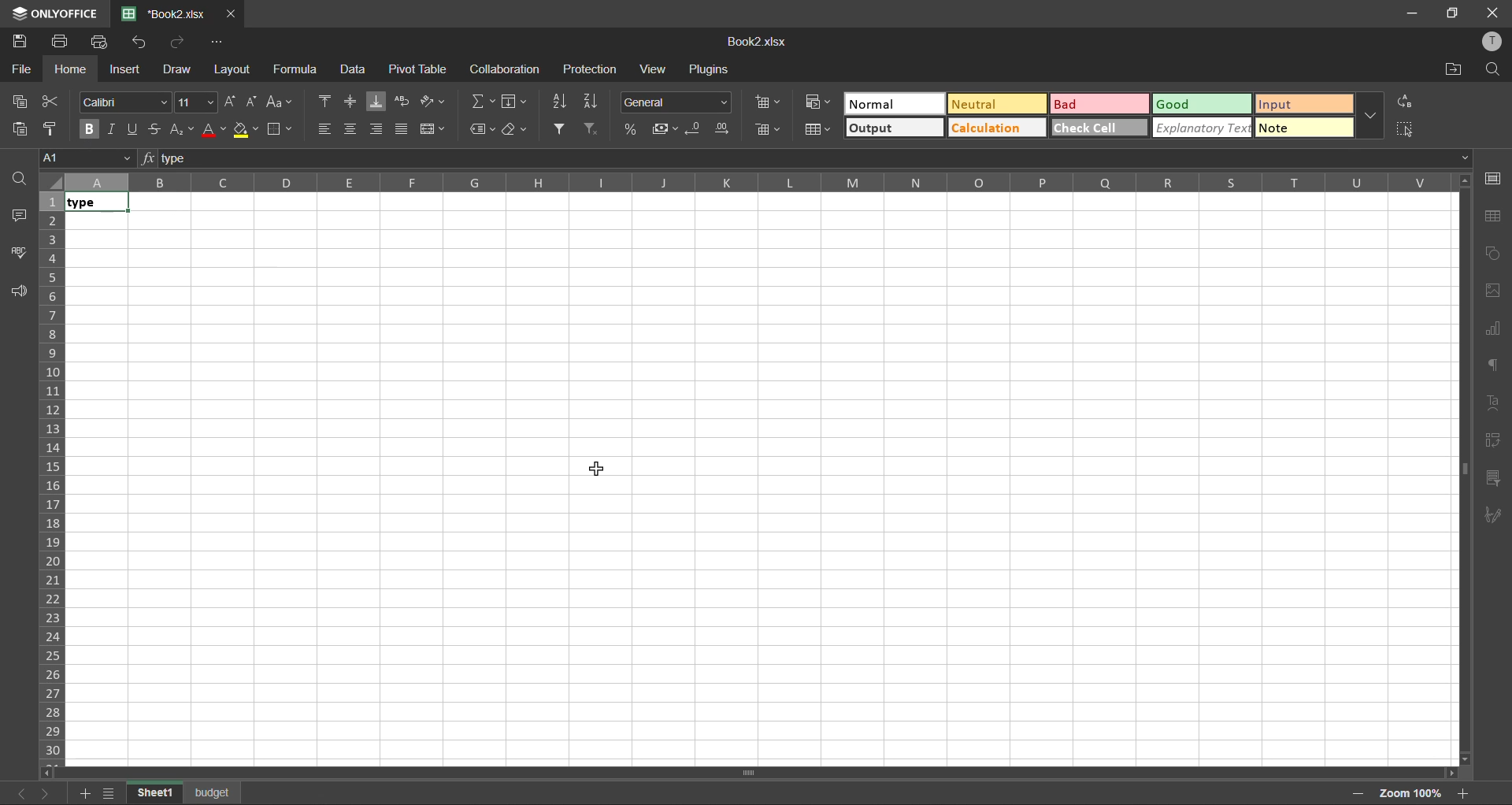 The width and height of the screenshot is (1512, 805). I want to click on format as table , so click(819, 130).